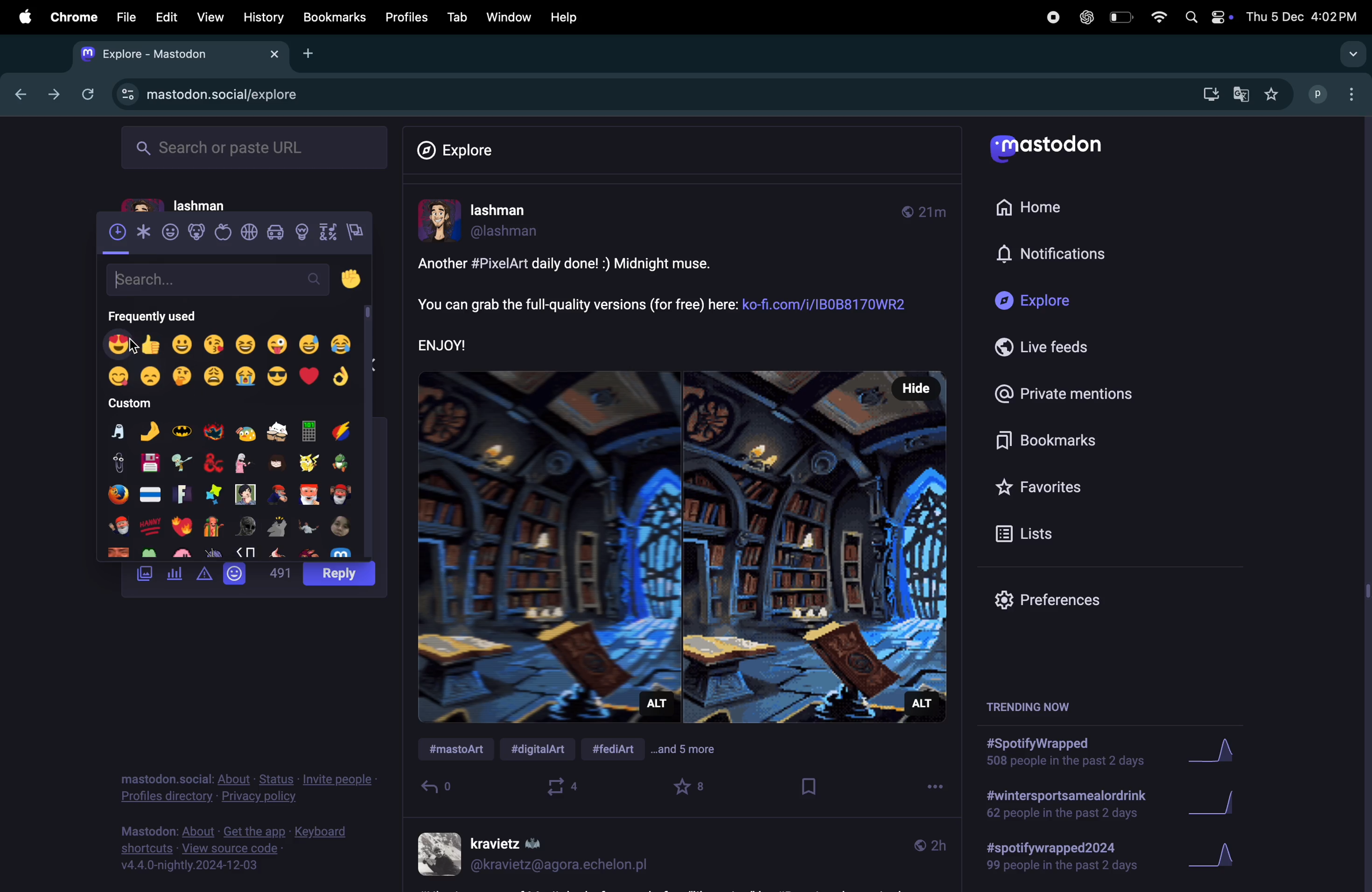 This screenshot has width=1372, height=892. What do you see at coordinates (209, 18) in the screenshot?
I see `view` at bounding box center [209, 18].